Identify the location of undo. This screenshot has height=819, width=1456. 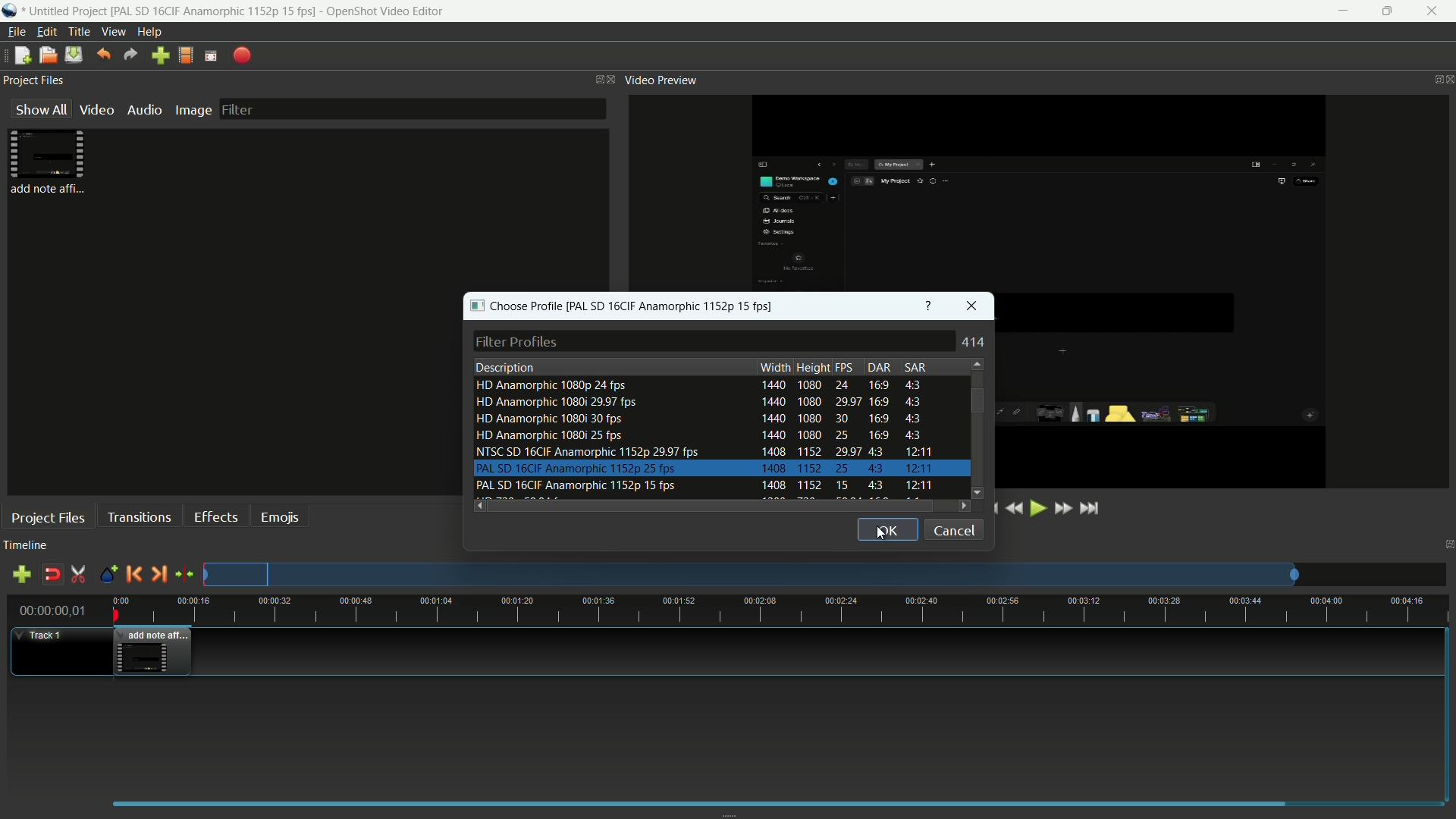
(101, 55).